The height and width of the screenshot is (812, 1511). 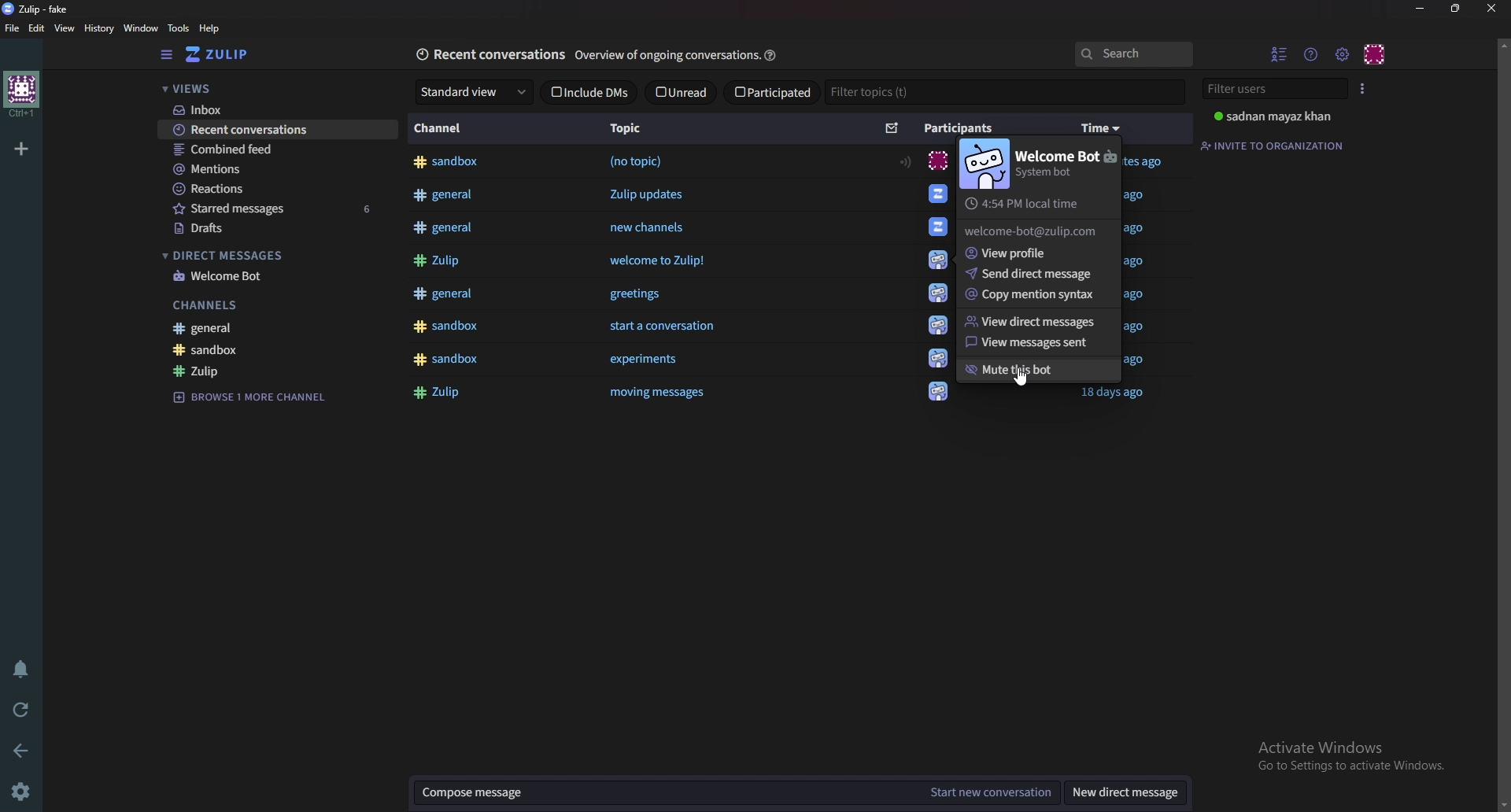 What do you see at coordinates (1341, 54) in the screenshot?
I see `Main menu` at bounding box center [1341, 54].